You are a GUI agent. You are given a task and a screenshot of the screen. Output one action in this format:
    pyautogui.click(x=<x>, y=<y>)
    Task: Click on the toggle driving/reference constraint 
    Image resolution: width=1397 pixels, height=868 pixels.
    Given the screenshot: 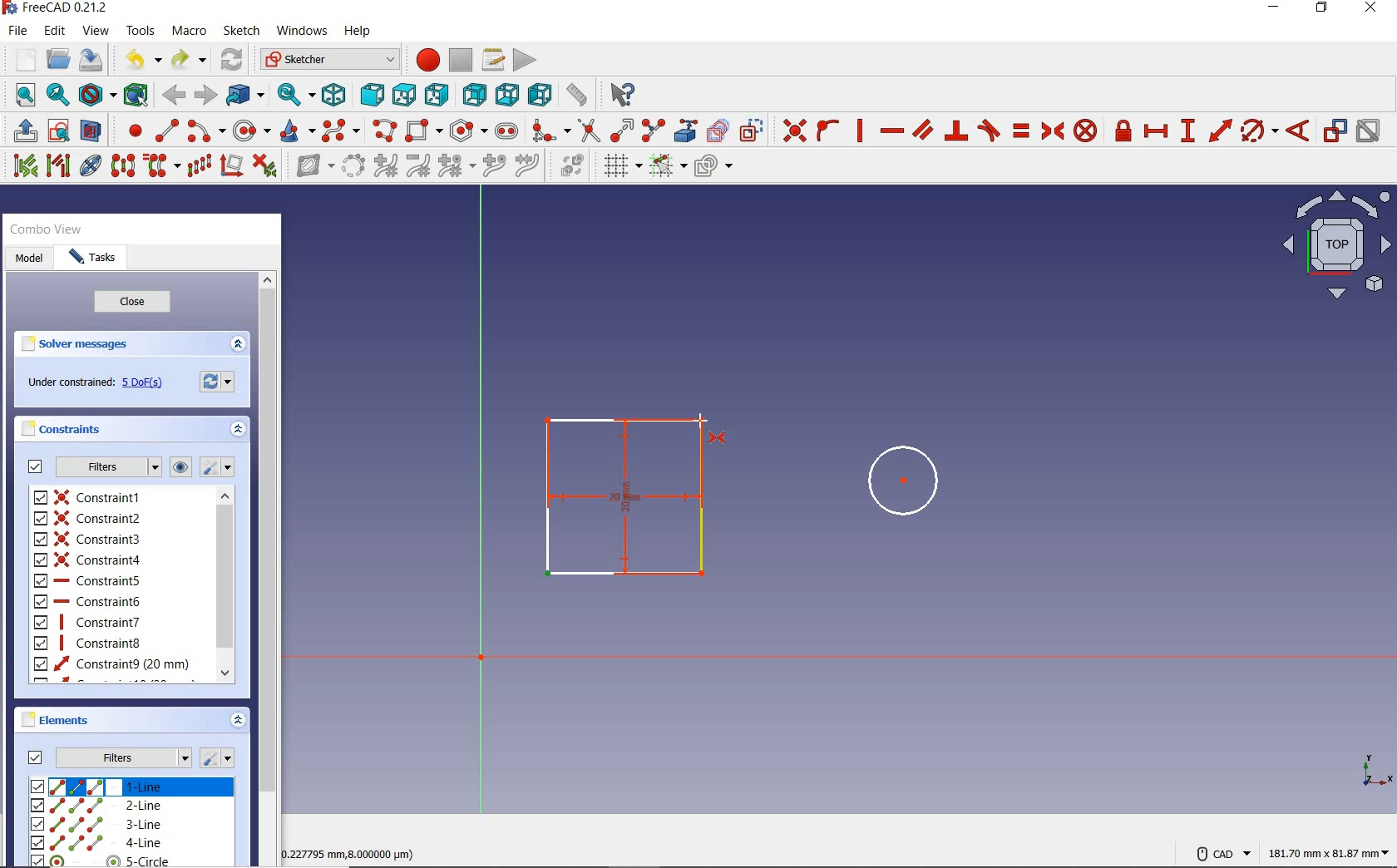 What is the action you would take?
    pyautogui.click(x=1335, y=131)
    